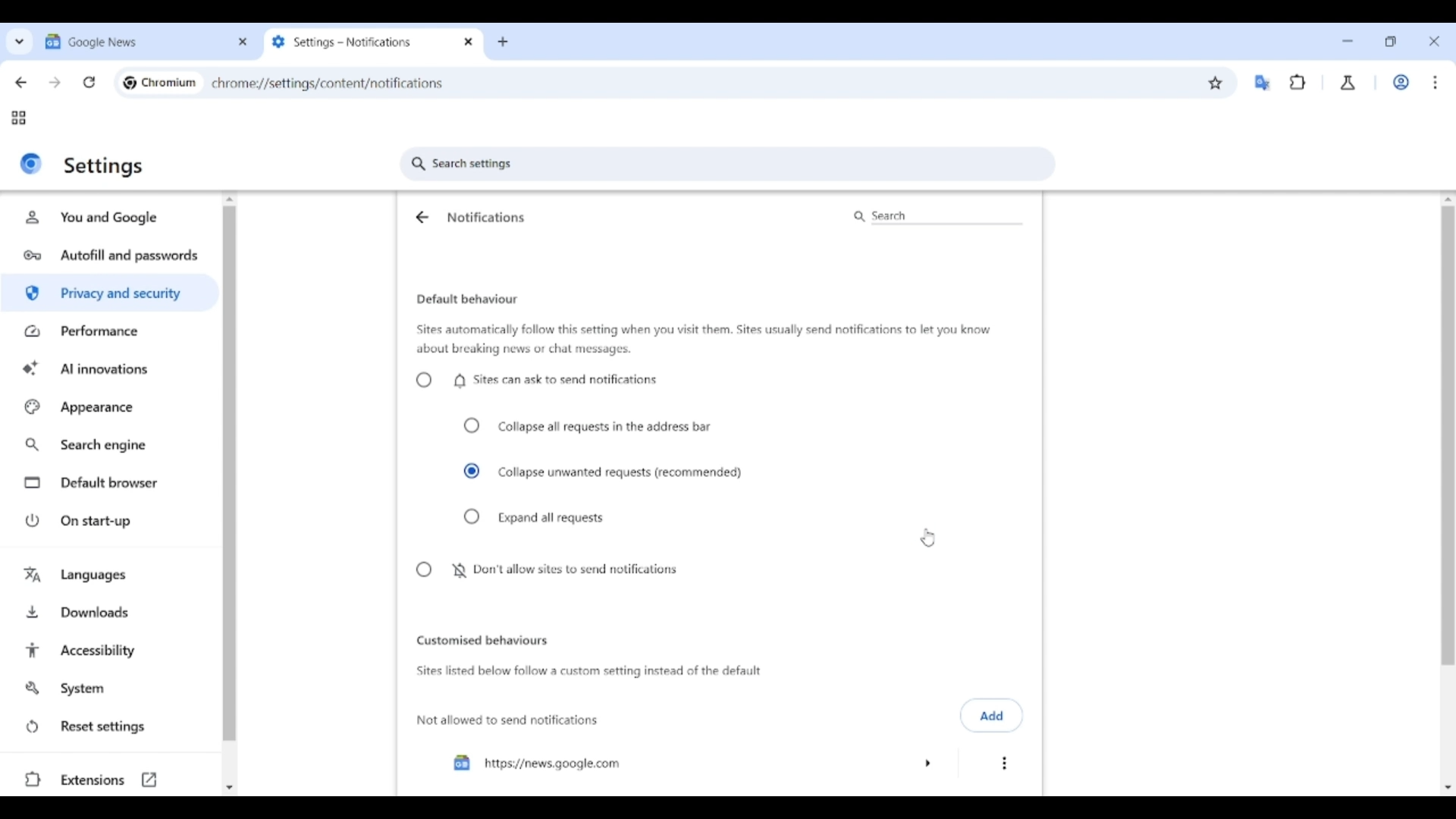 This screenshot has width=1456, height=819. What do you see at coordinates (111, 445) in the screenshot?
I see `Search engine` at bounding box center [111, 445].